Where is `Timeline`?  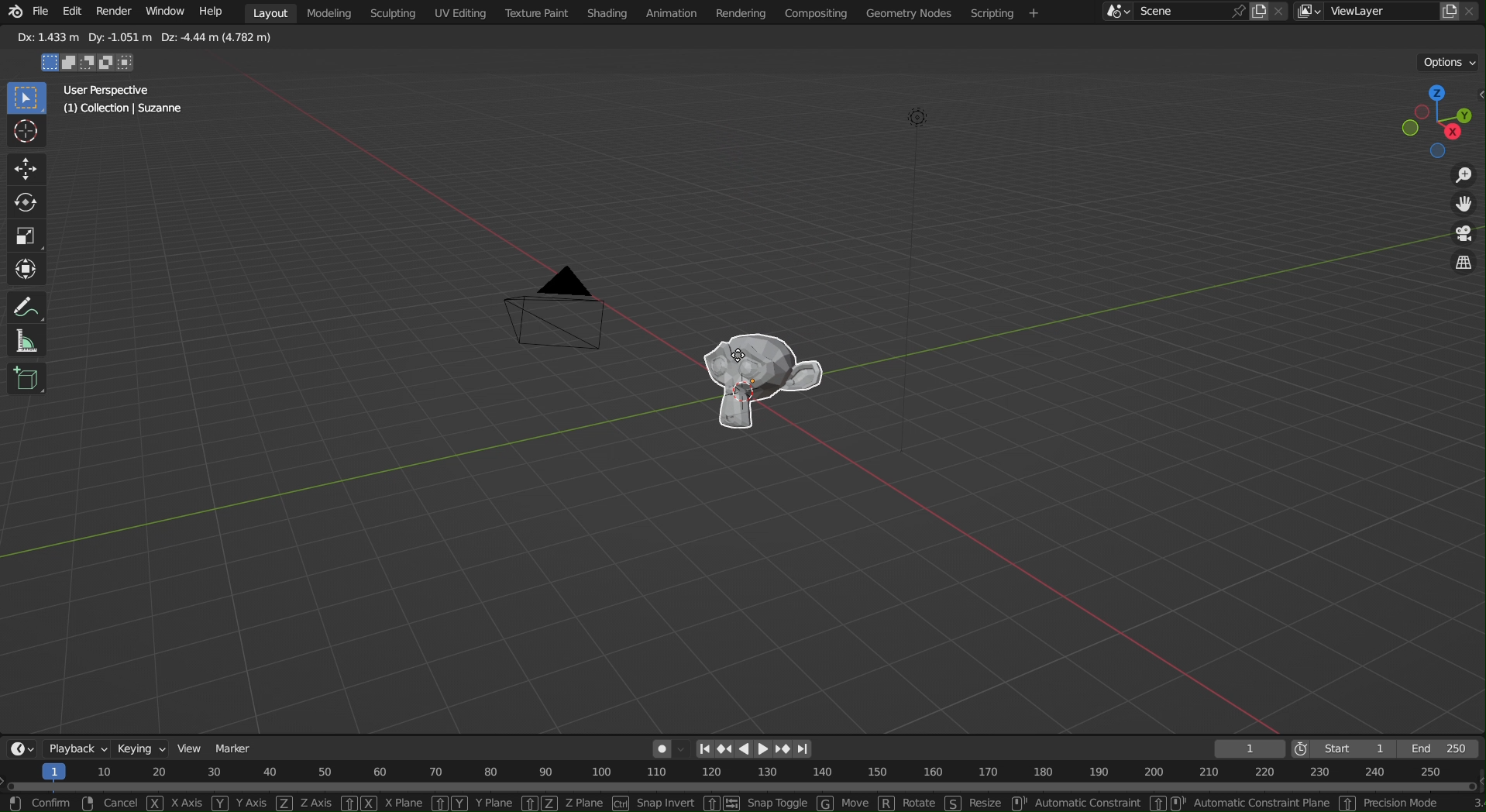
Timeline is located at coordinates (743, 778).